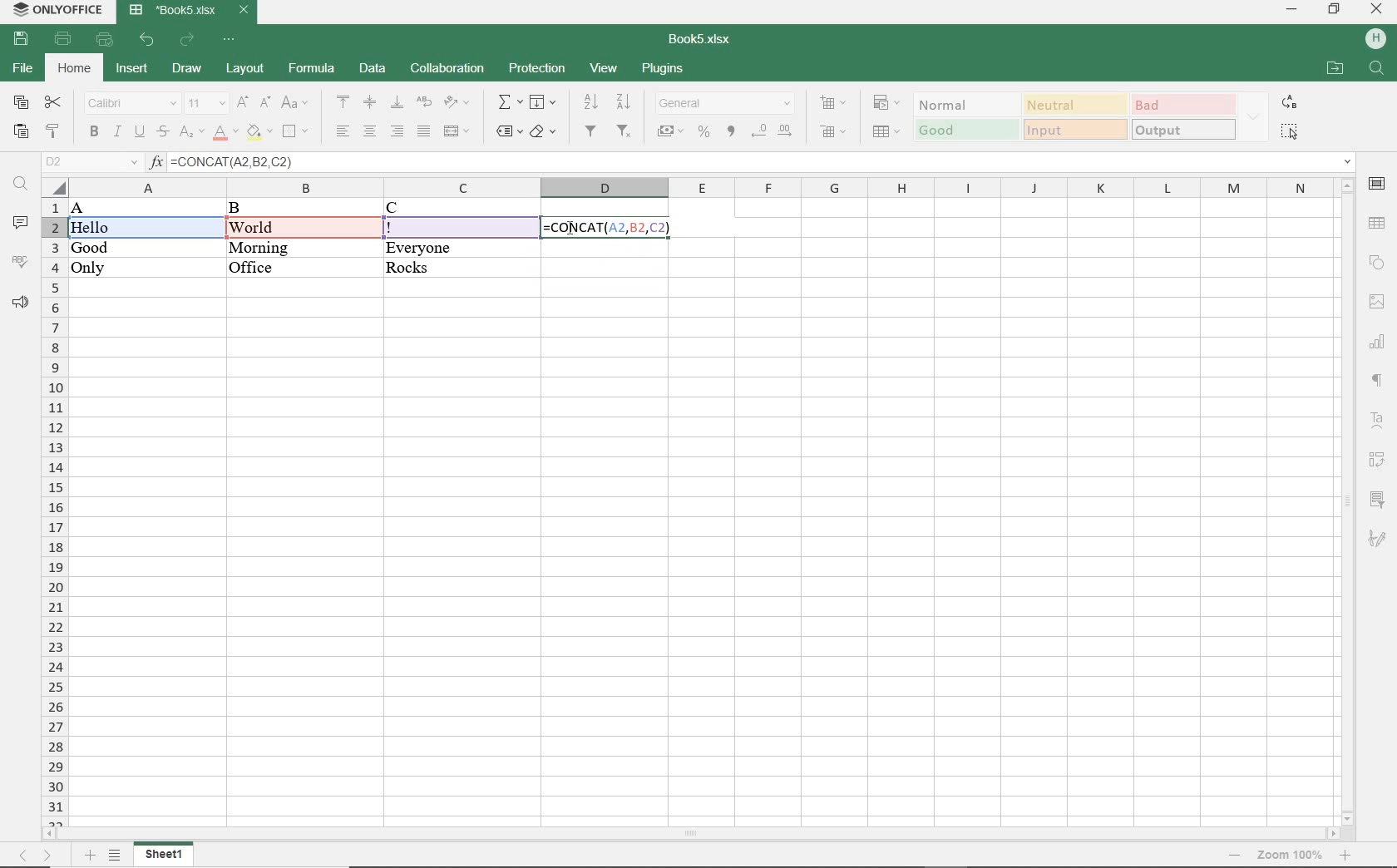 This screenshot has height=868, width=1397. What do you see at coordinates (166, 854) in the screenshot?
I see `SHEET1` at bounding box center [166, 854].